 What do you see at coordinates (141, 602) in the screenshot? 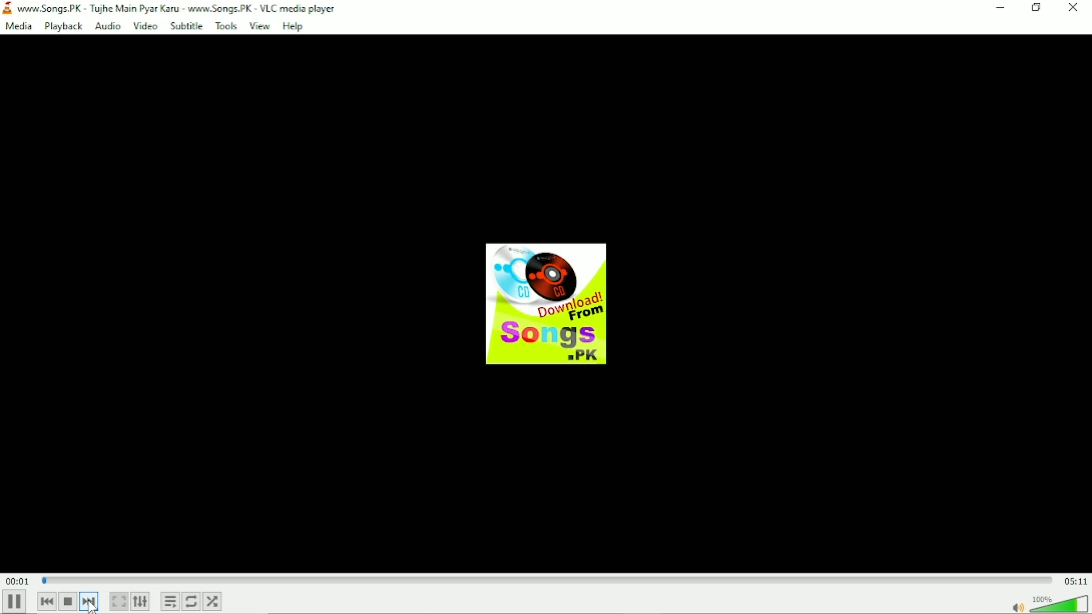
I see `Show extended settings` at bounding box center [141, 602].